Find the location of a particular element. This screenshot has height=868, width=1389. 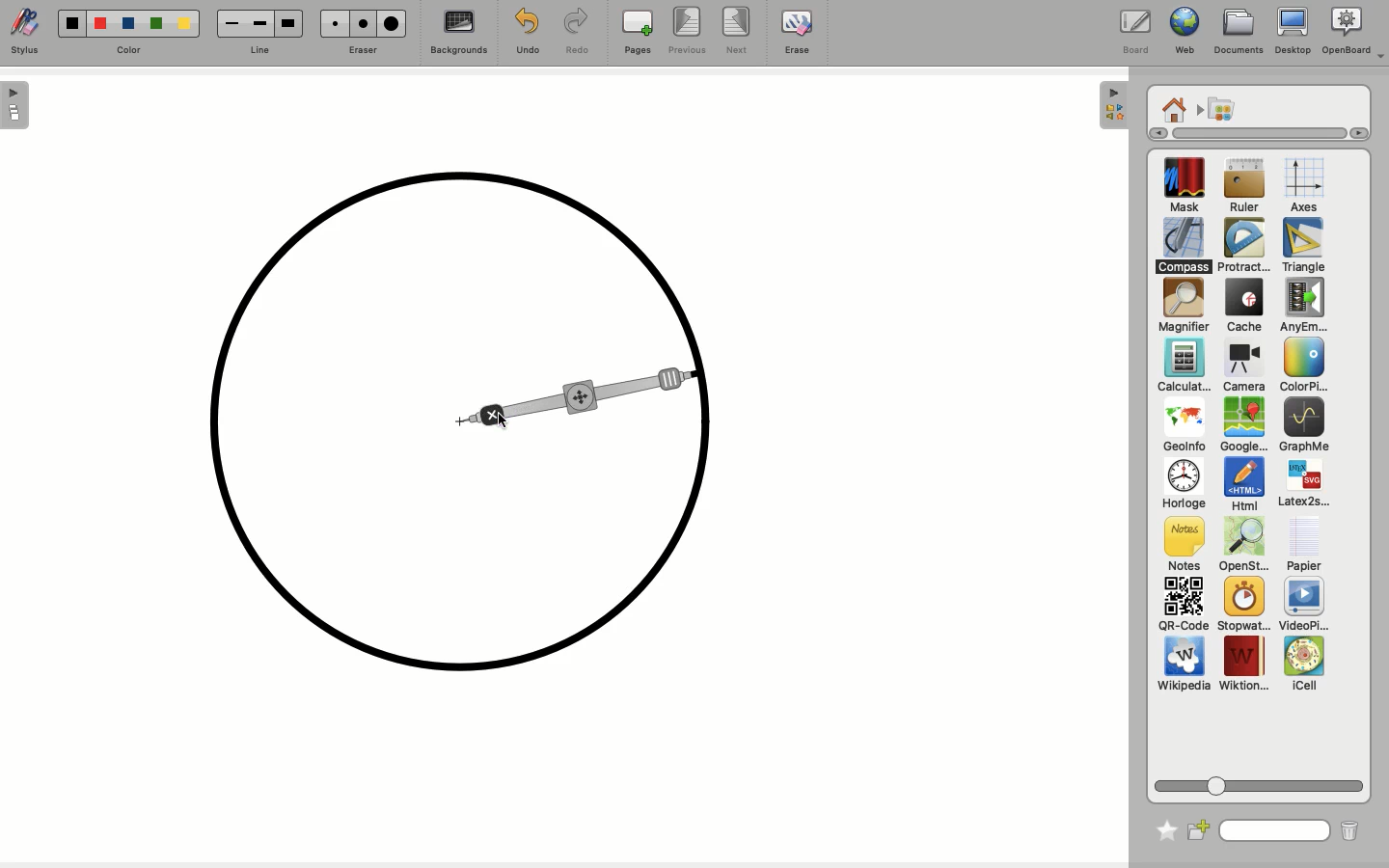

color2 is located at coordinates (97, 22).